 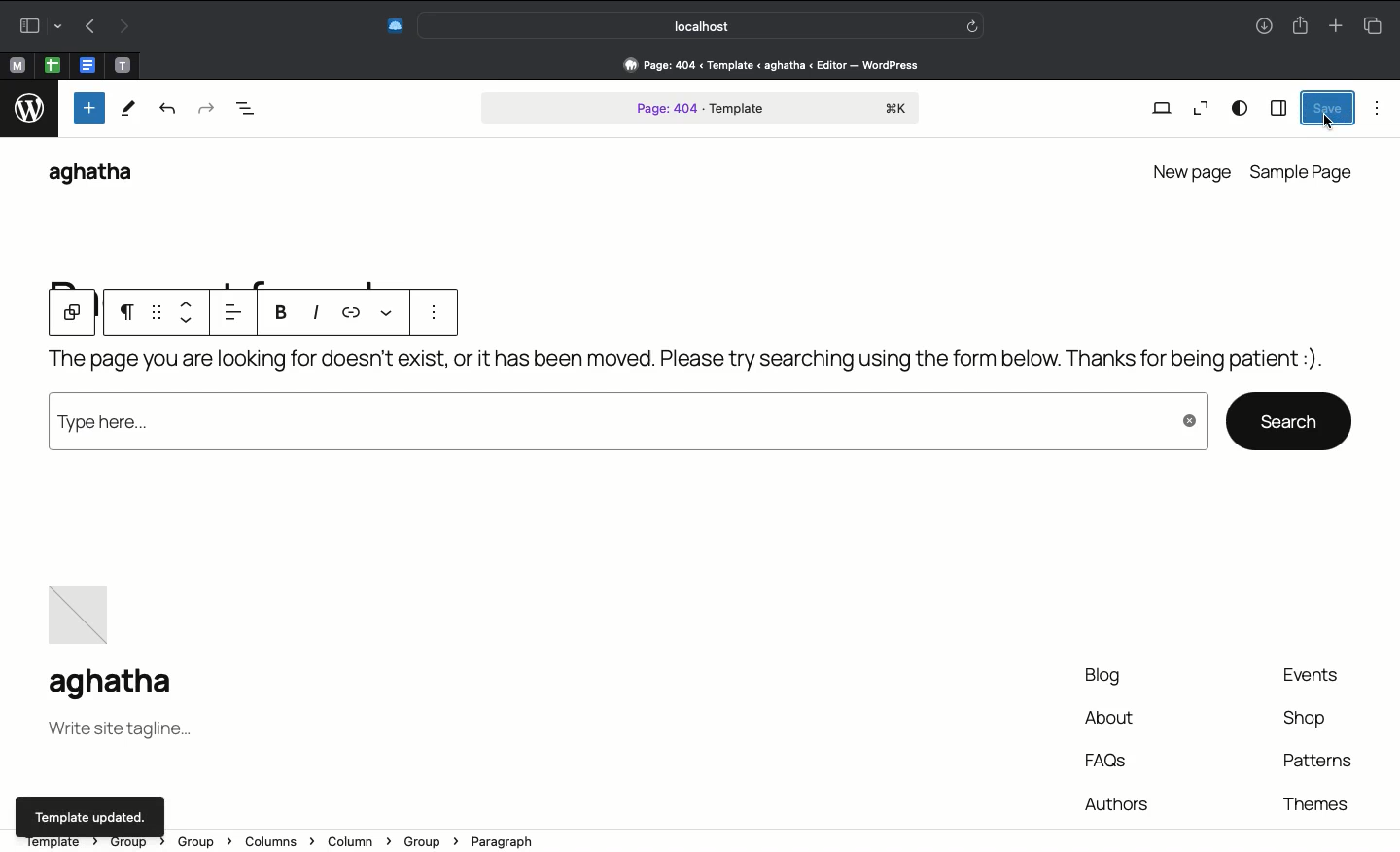 I want to click on open tab, so click(x=17, y=66).